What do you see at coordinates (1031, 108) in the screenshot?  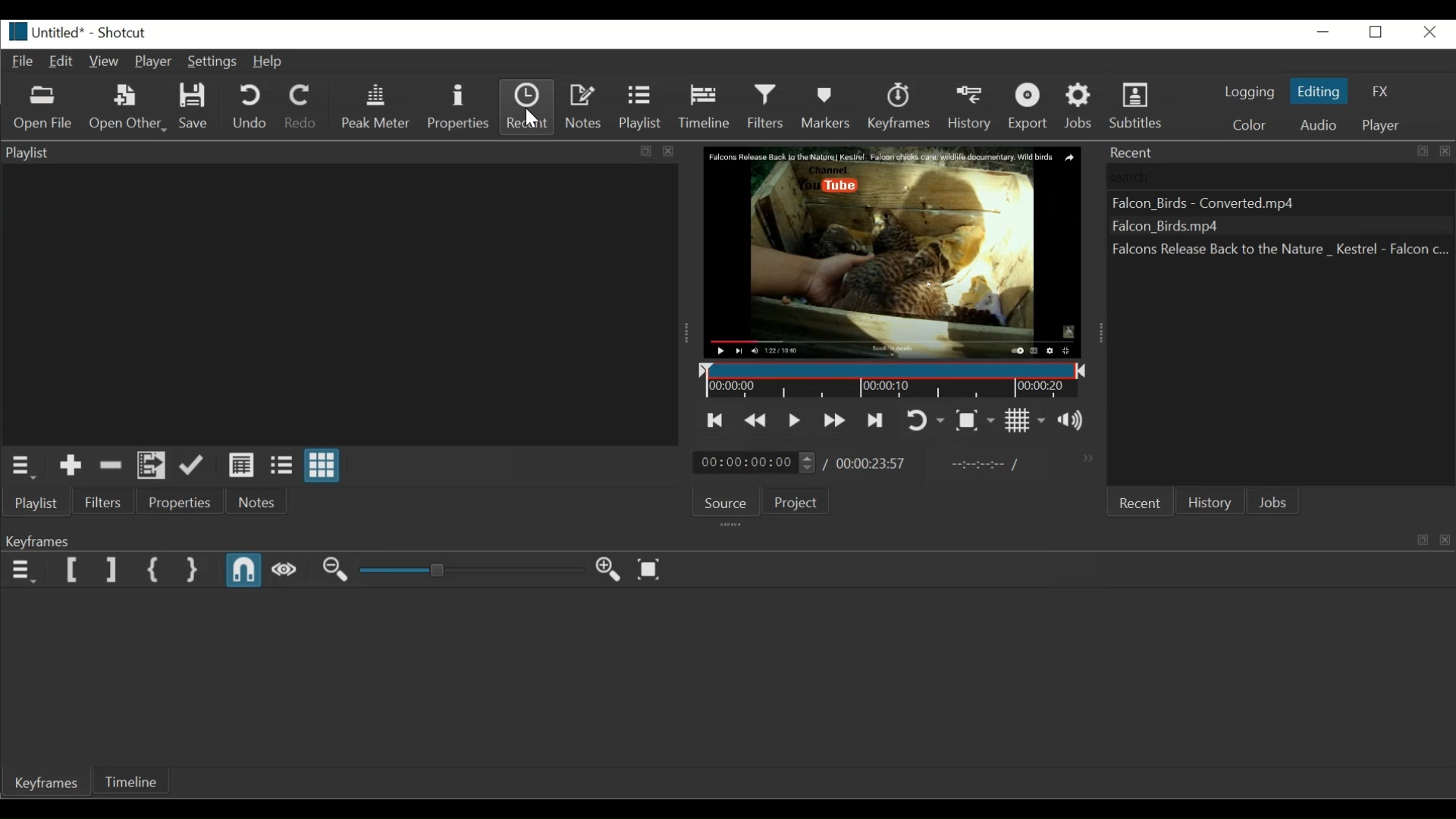 I see `Export` at bounding box center [1031, 108].